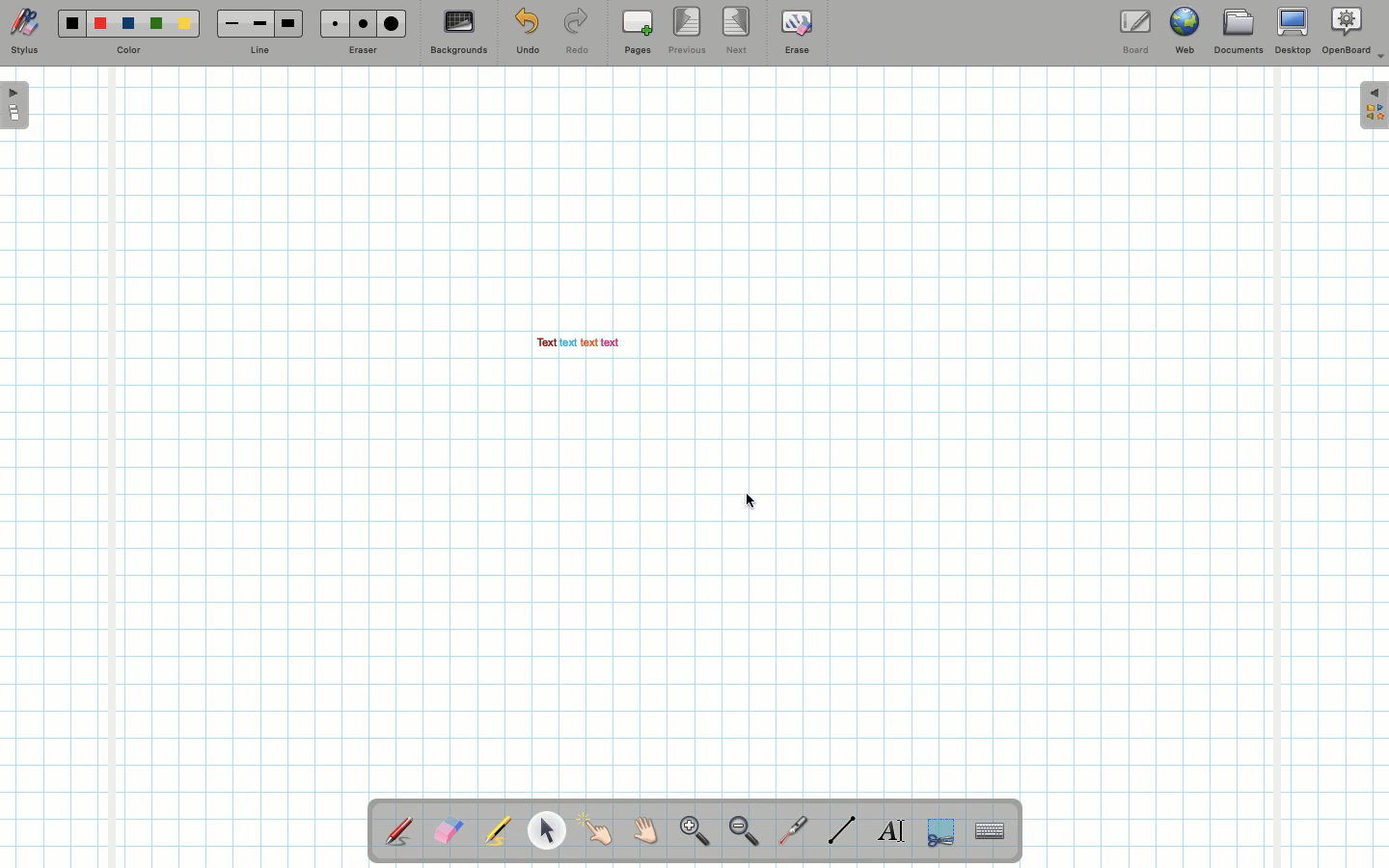 Image resolution: width=1389 pixels, height=868 pixels. What do you see at coordinates (546, 830) in the screenshot?
I see `Pointer` at bounding box center [546, 830].